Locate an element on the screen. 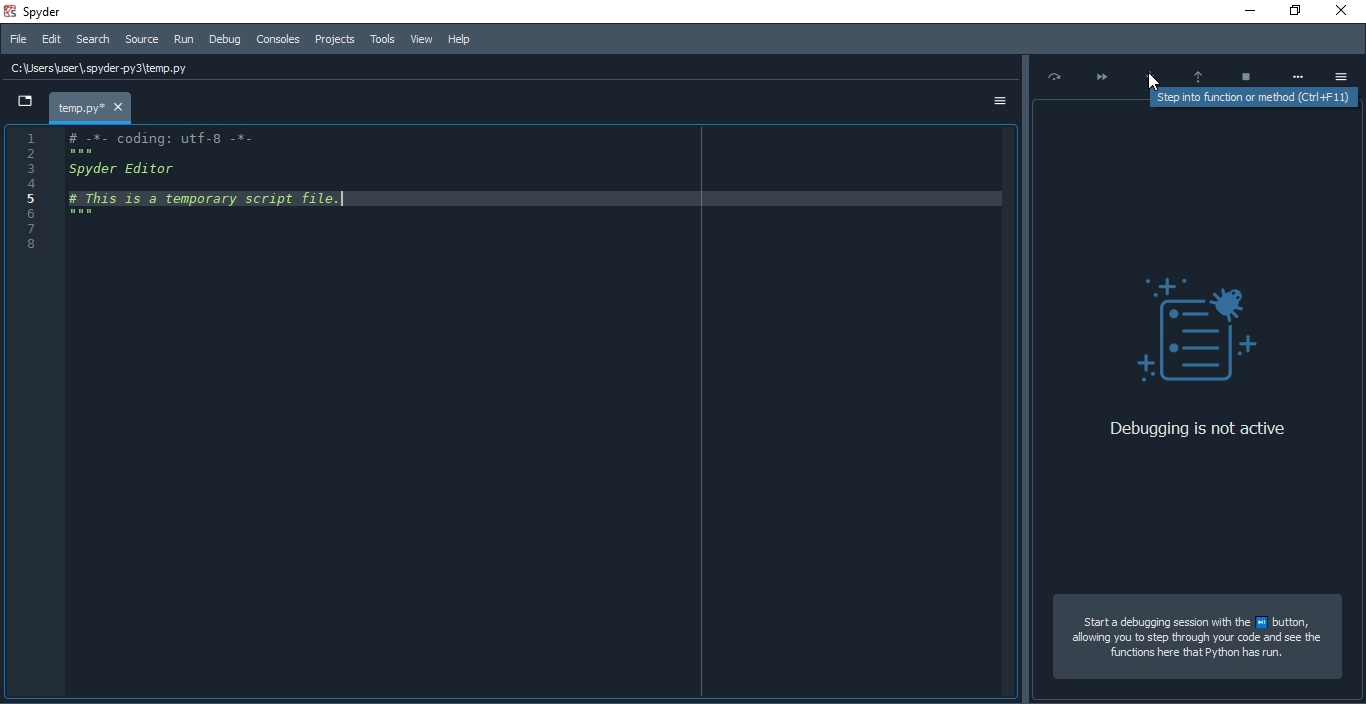 This screenshot has width=1366, height=704. adh EL LLL Edt
Spyder Editor
# This is a temporary script file.| is located at coordinates (211, 181).